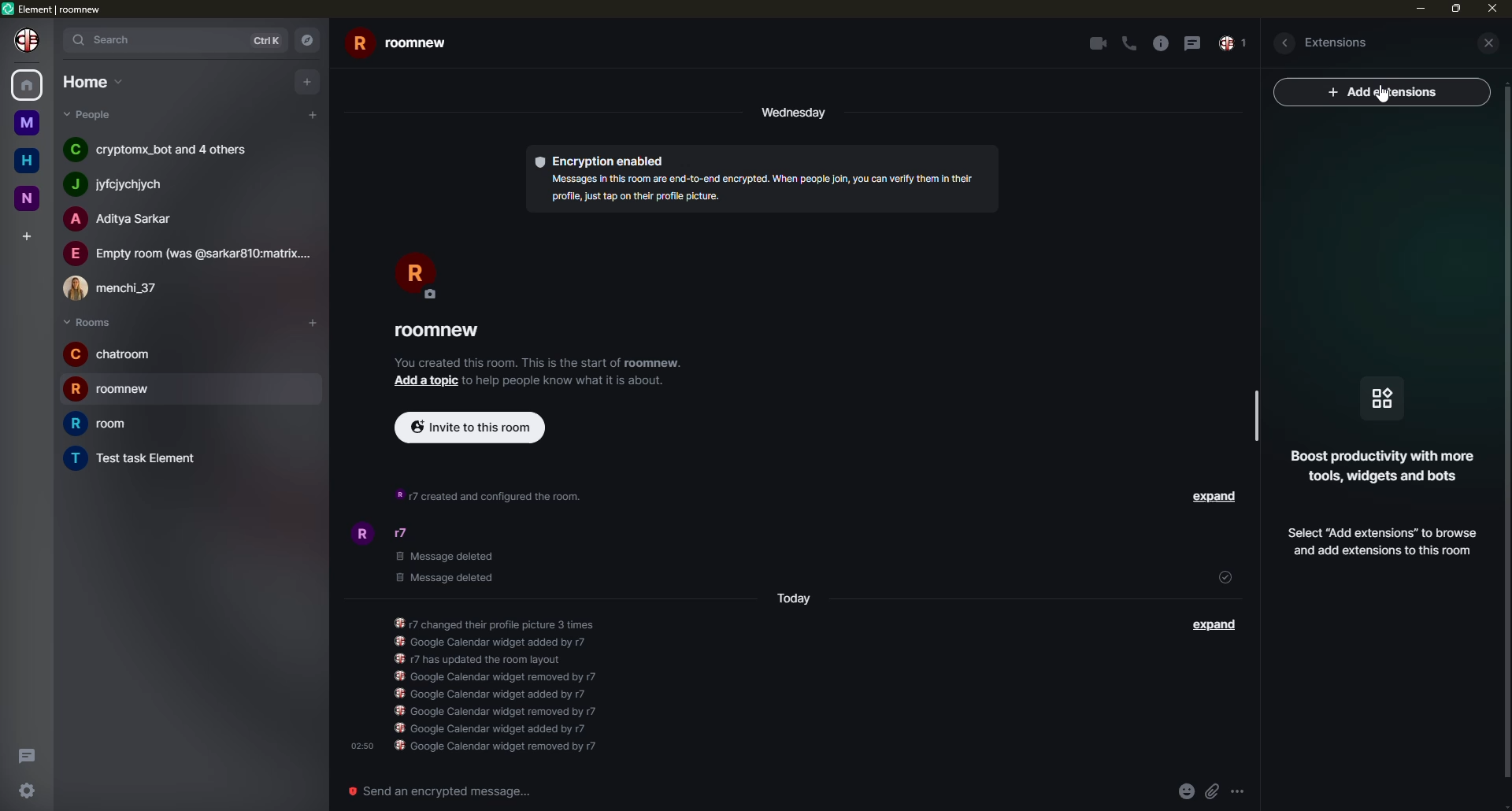 The width and height of the screenshot is (1512, 811). Describe the element at coordinates (1210, 790) in the screenshot. I see `attach` at that location.